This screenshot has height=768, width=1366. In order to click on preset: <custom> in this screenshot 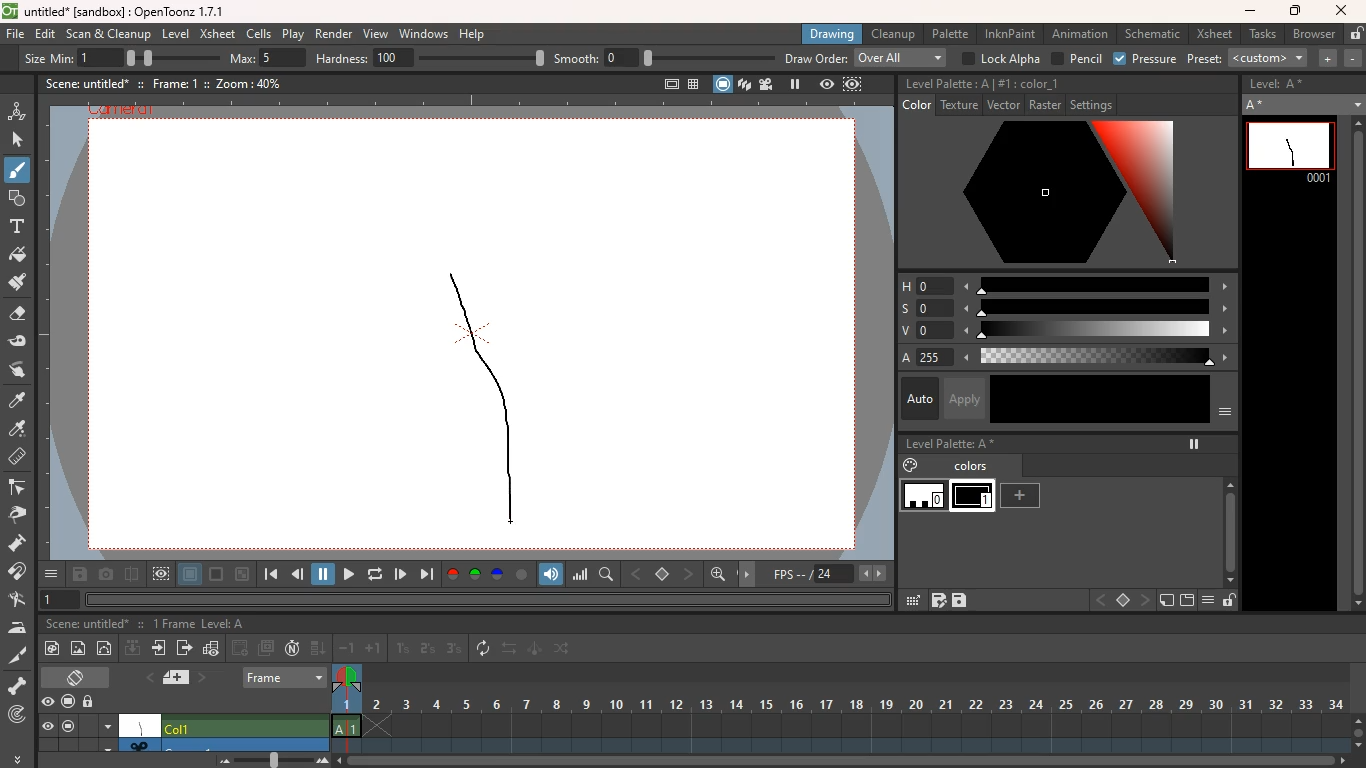, I will do `click(1249, 58)`.